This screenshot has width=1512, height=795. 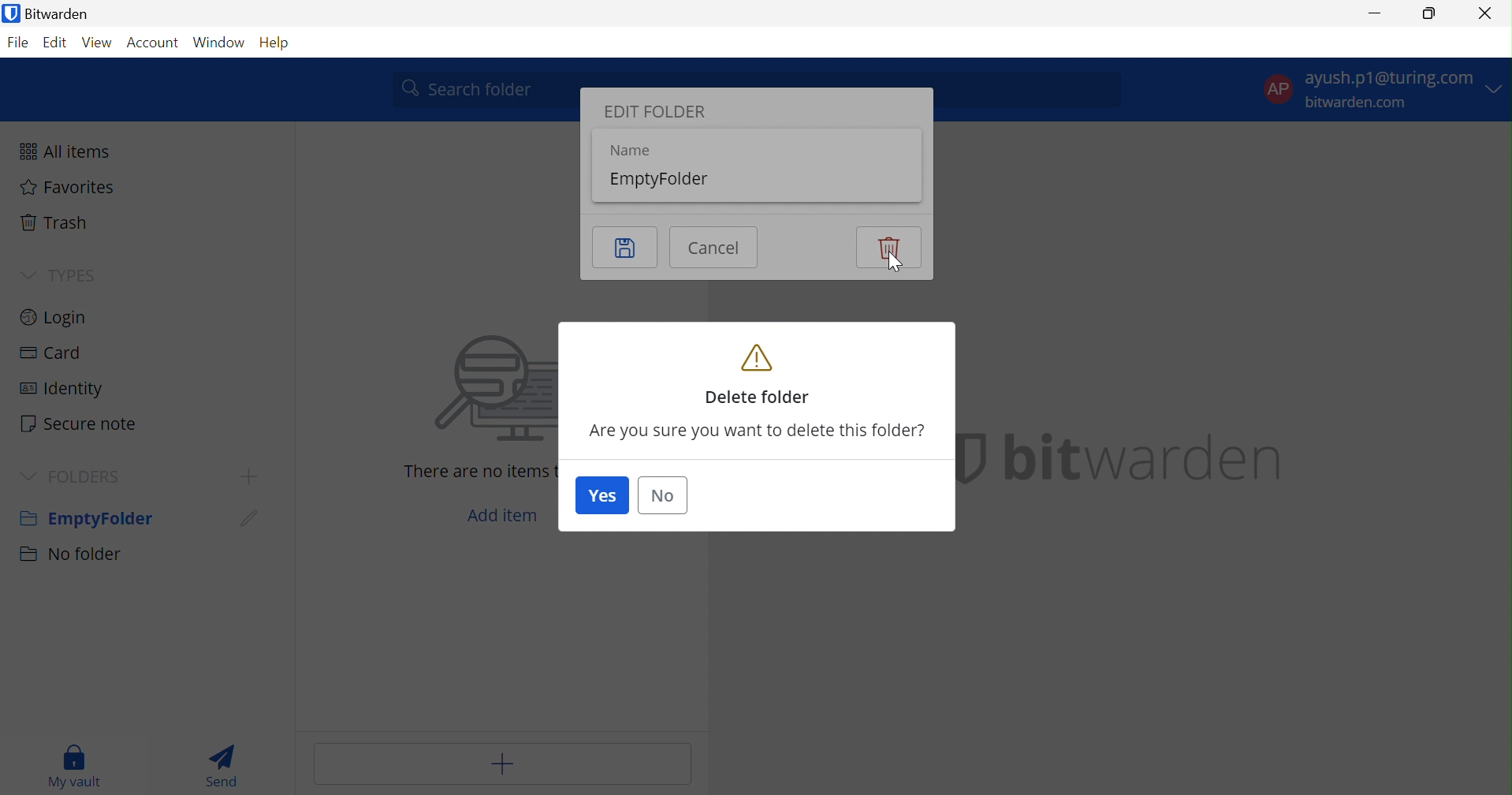 What do you see at coordinates (229, 765) in the screenshot?
I see `Send` at bounding box center [229, 765].